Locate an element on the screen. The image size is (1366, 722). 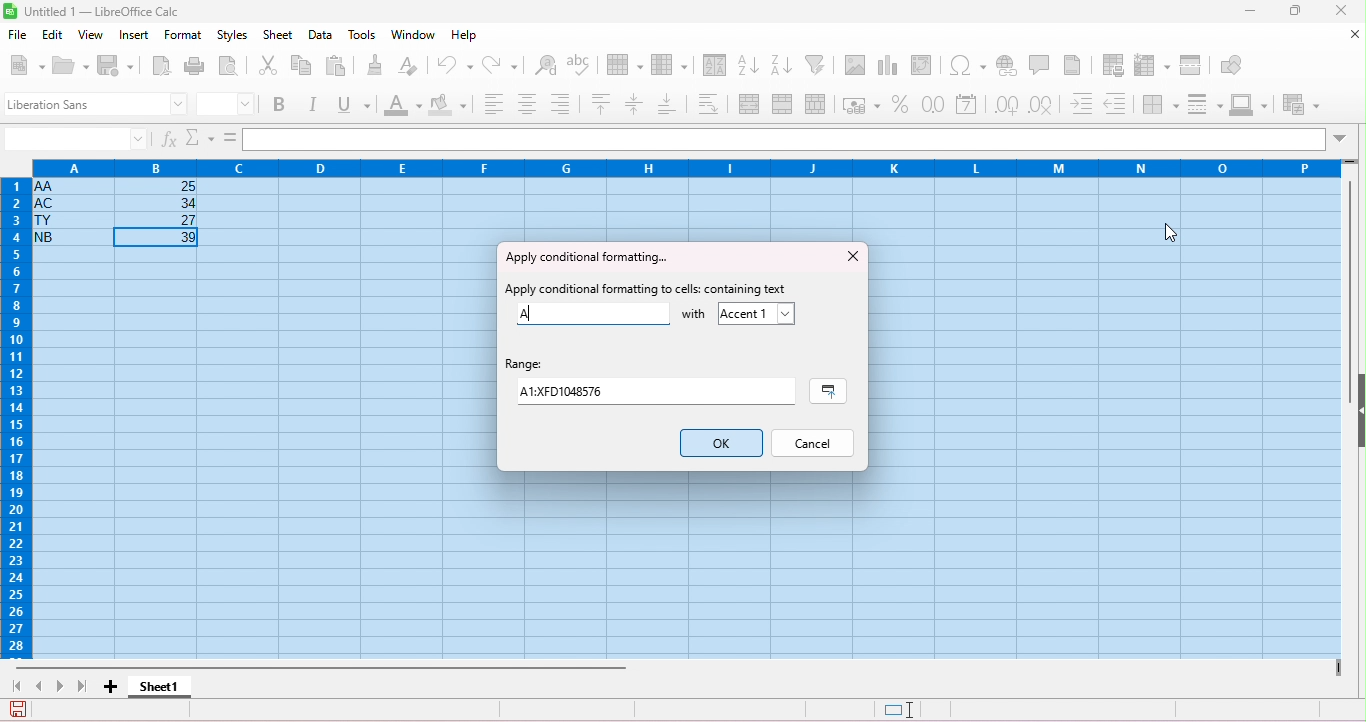
align bottom is located at coordinates (560, 103).